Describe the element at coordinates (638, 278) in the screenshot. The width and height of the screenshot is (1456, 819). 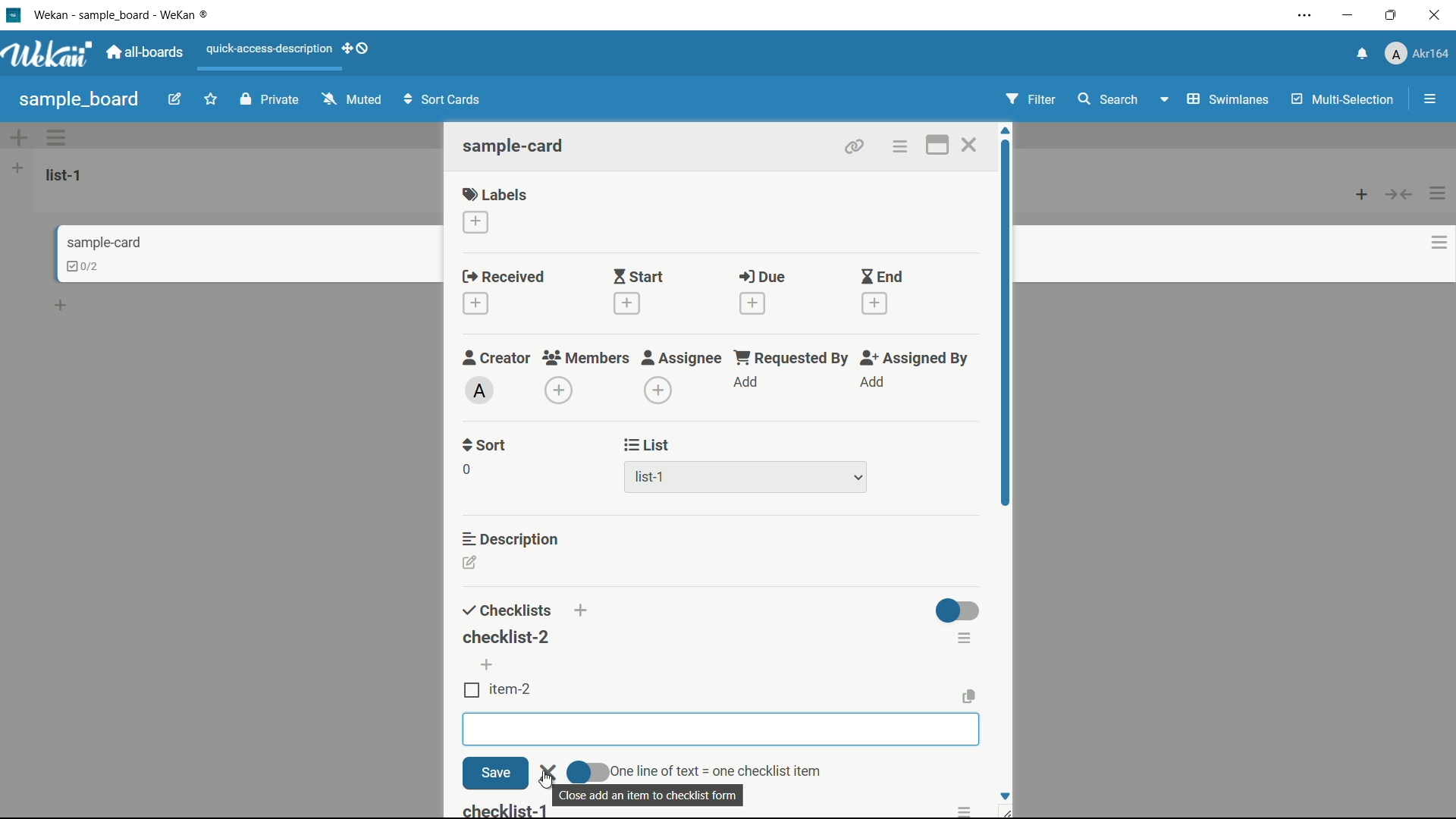
I see `start` at that location.